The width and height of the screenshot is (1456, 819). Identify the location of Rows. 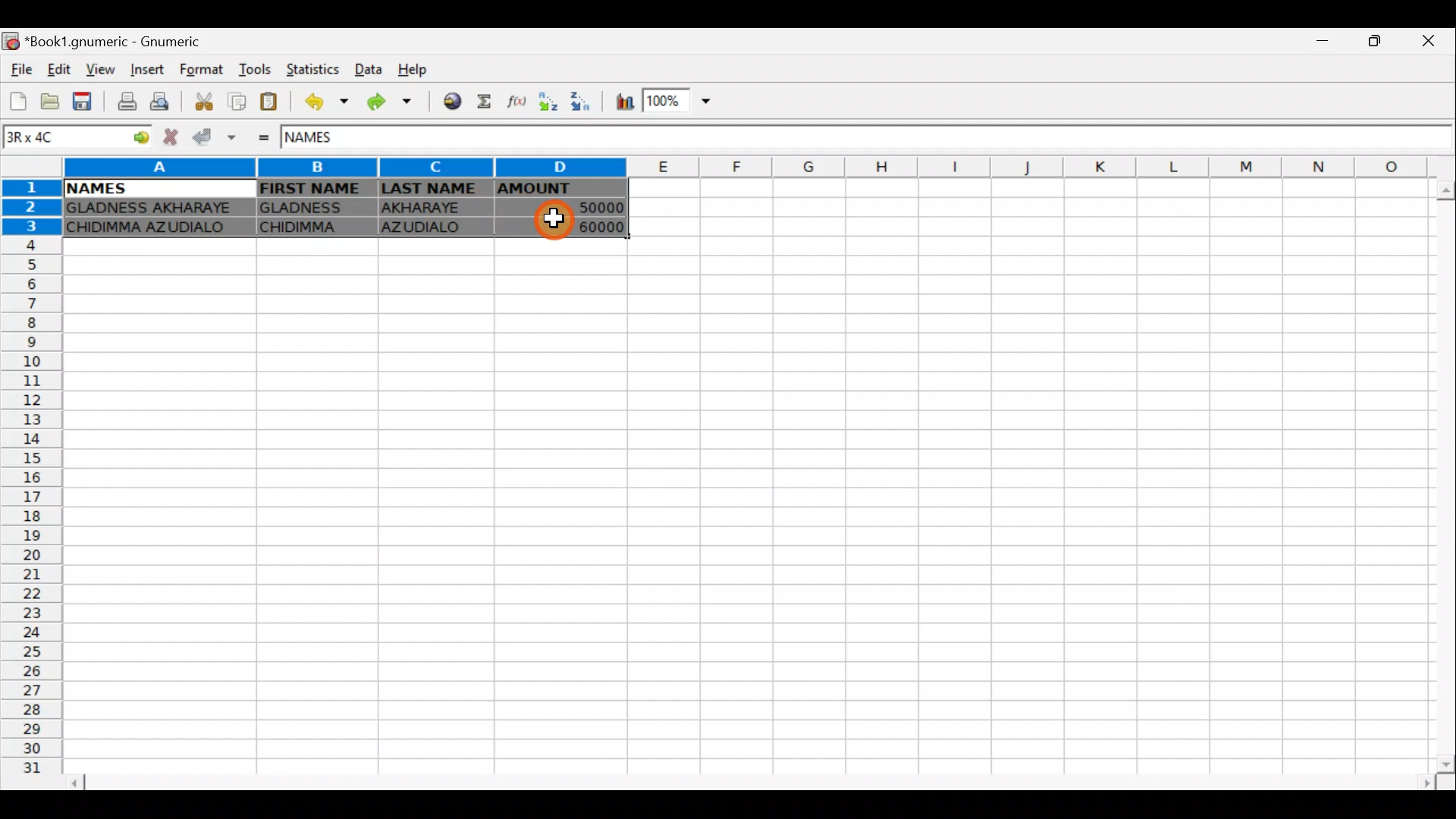
(29, 485).